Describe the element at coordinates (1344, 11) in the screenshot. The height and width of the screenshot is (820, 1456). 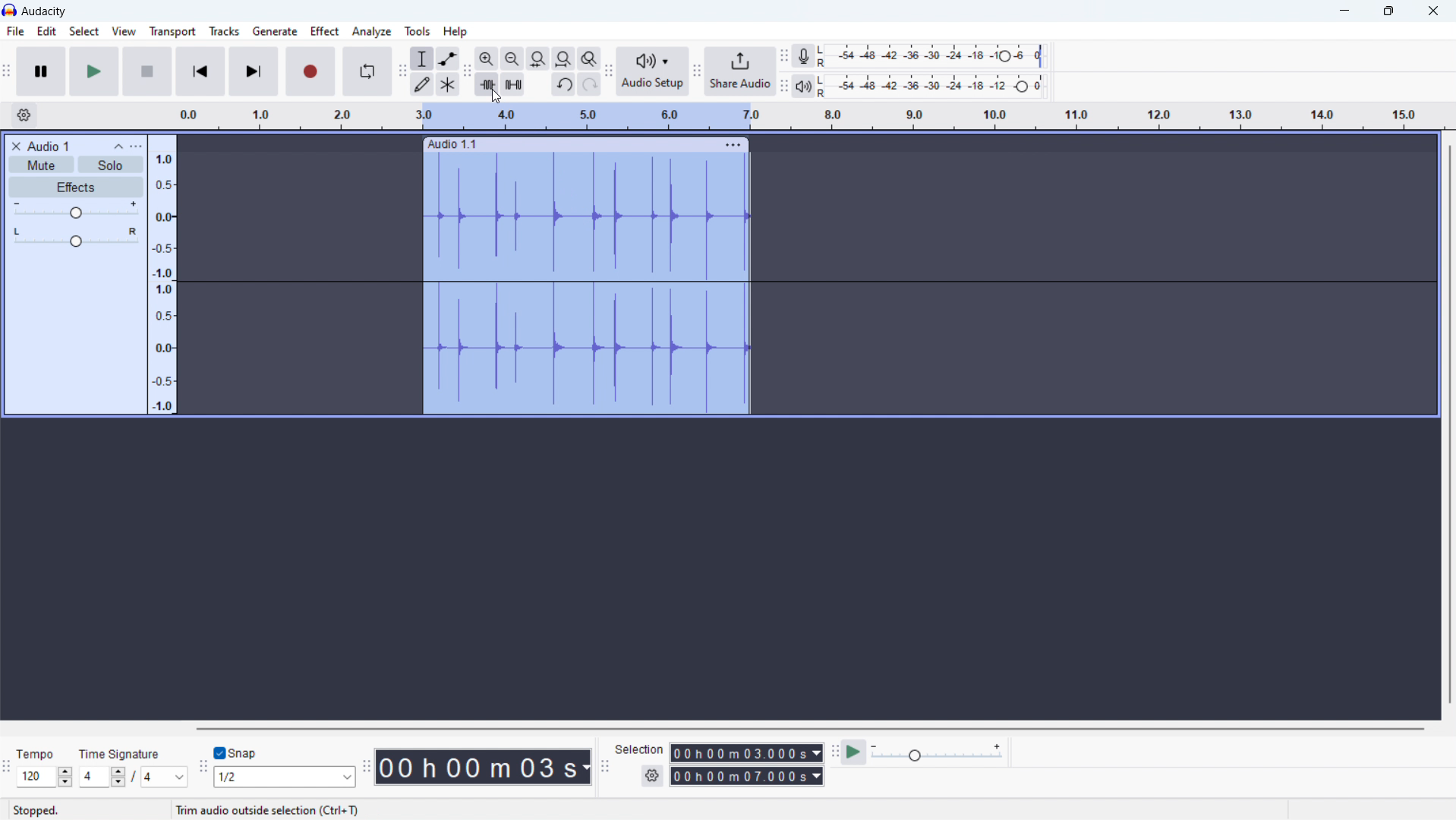
I see `minimize` at that location.